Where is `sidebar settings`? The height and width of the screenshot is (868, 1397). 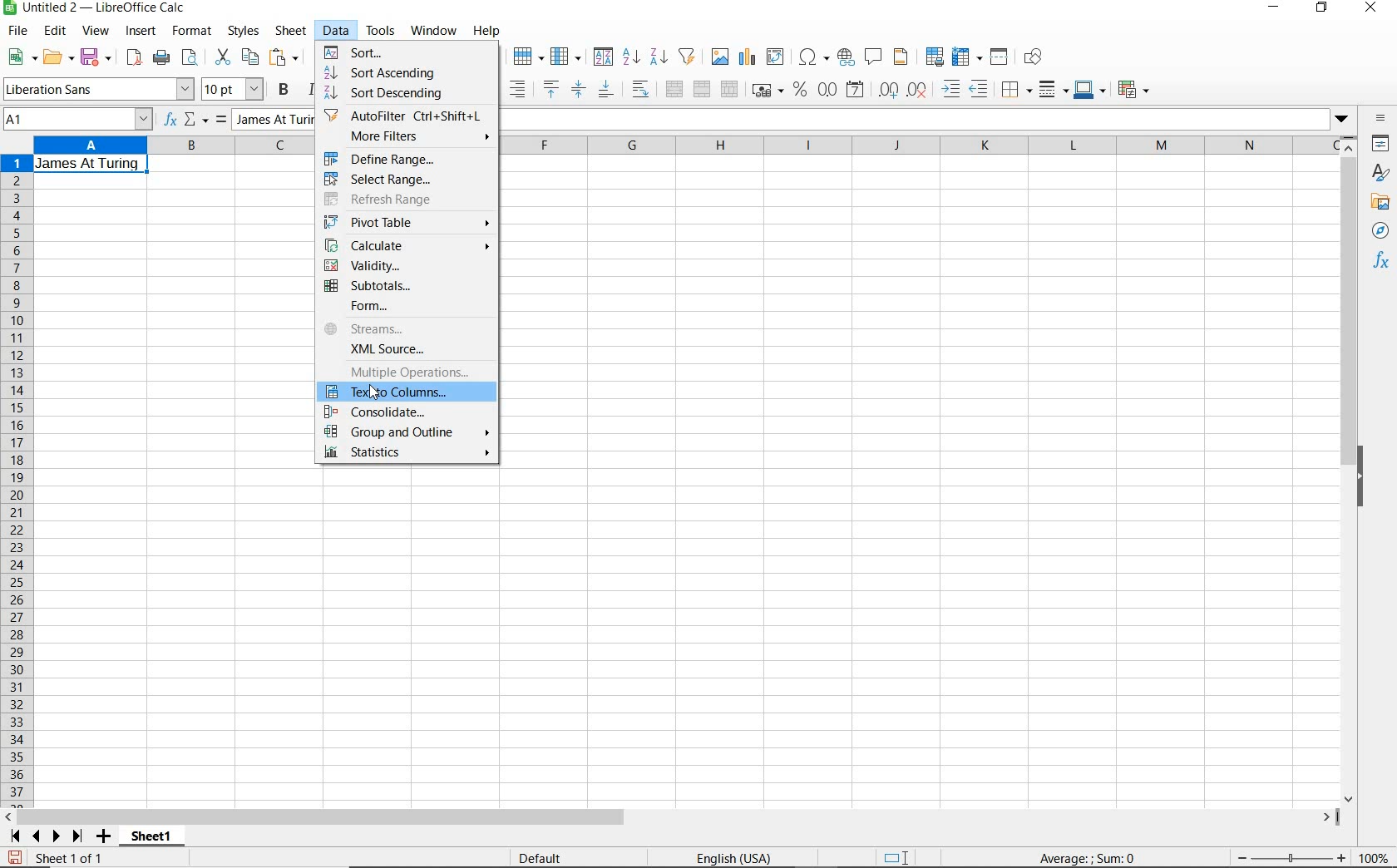 sidebar settings is located at coordinates (1380, 120).